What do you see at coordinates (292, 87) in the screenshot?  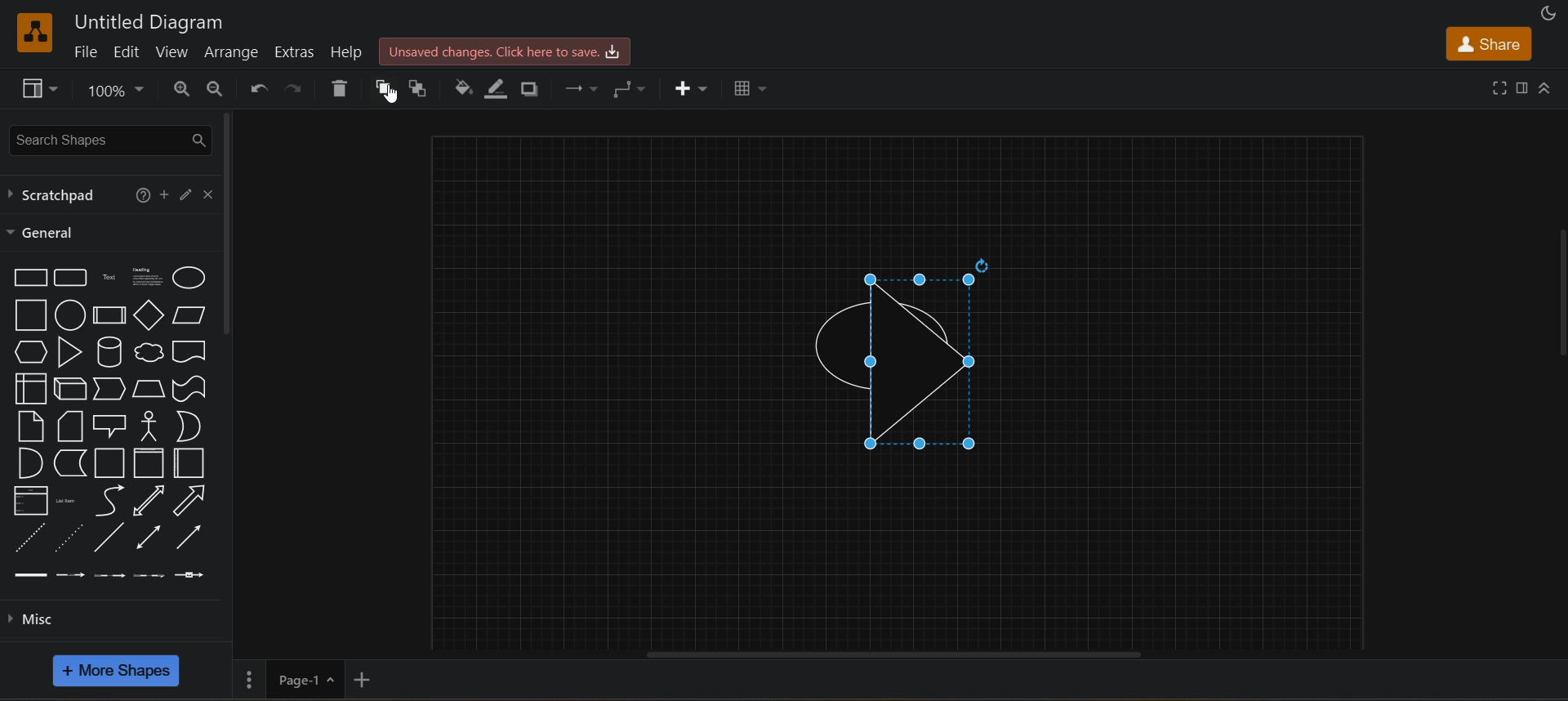 I see `redo` at bounding box center [292, 87].